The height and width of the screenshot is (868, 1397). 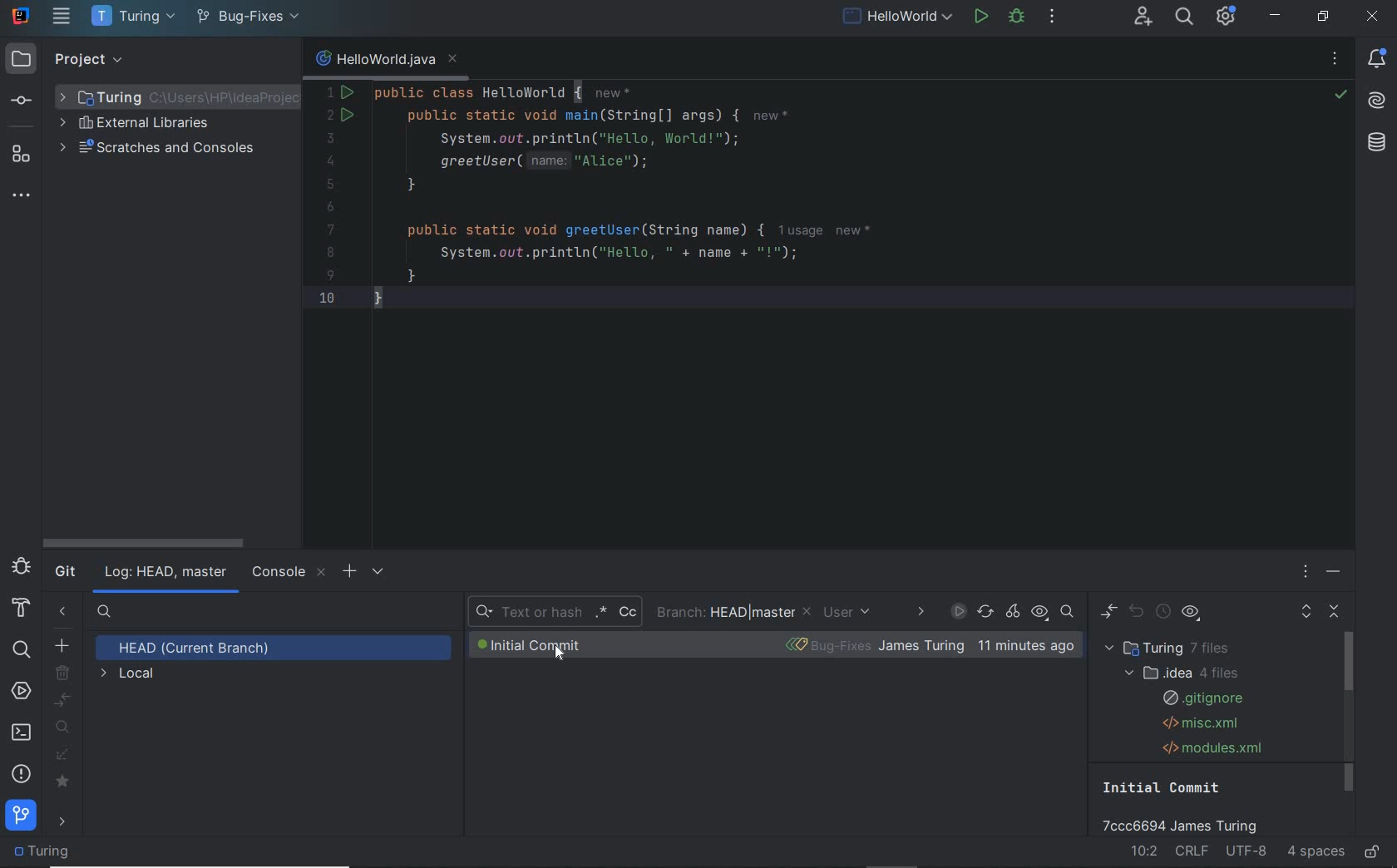 What do you see at coordinates (46, 852) in the screenshot?
I see `project folder` at bounding box center [46, 852].